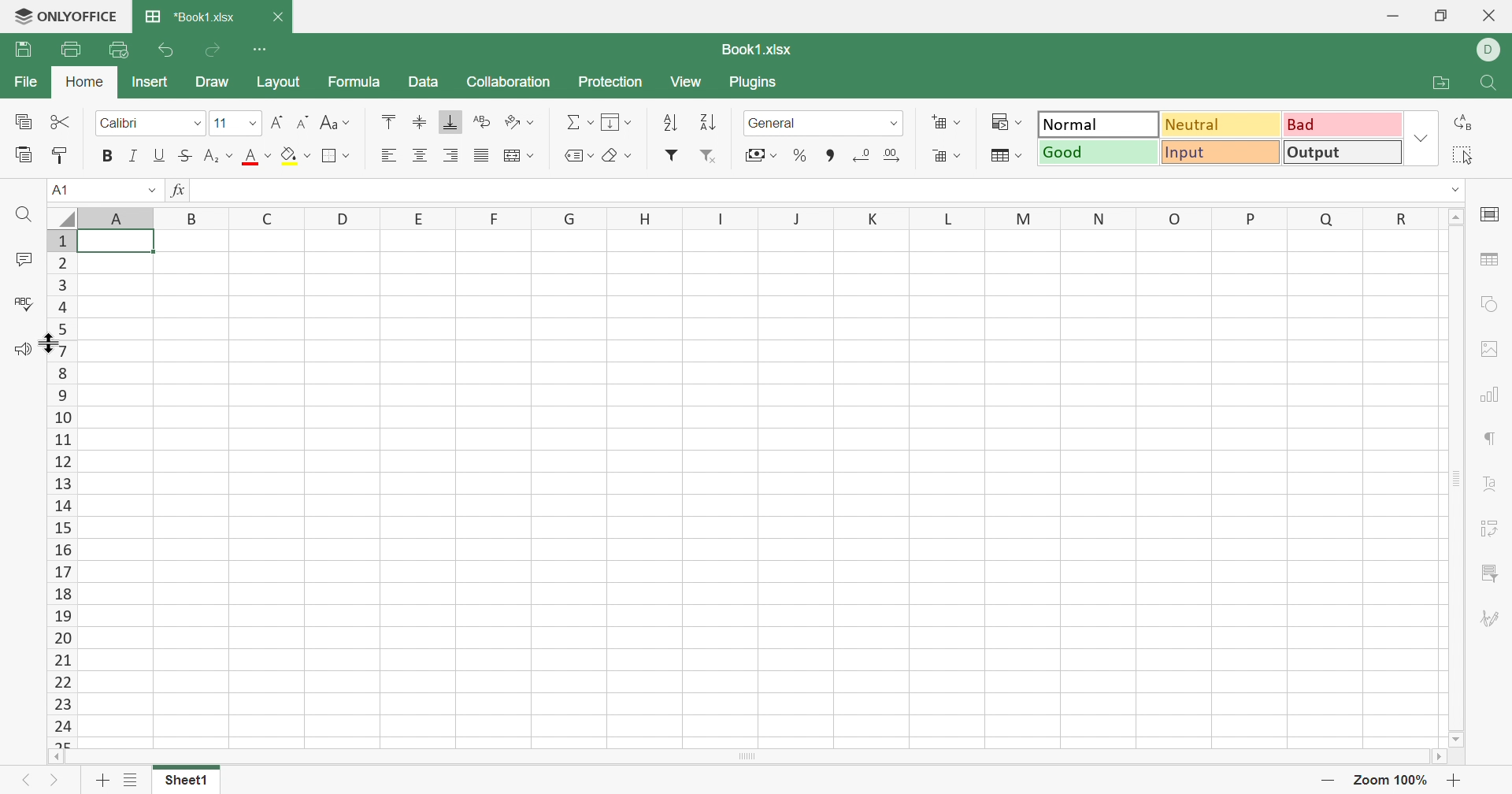  What do you see at coordinates (1492, 350) in the screenshot?
I see `Image settings` at bounding box center [1492, 350].